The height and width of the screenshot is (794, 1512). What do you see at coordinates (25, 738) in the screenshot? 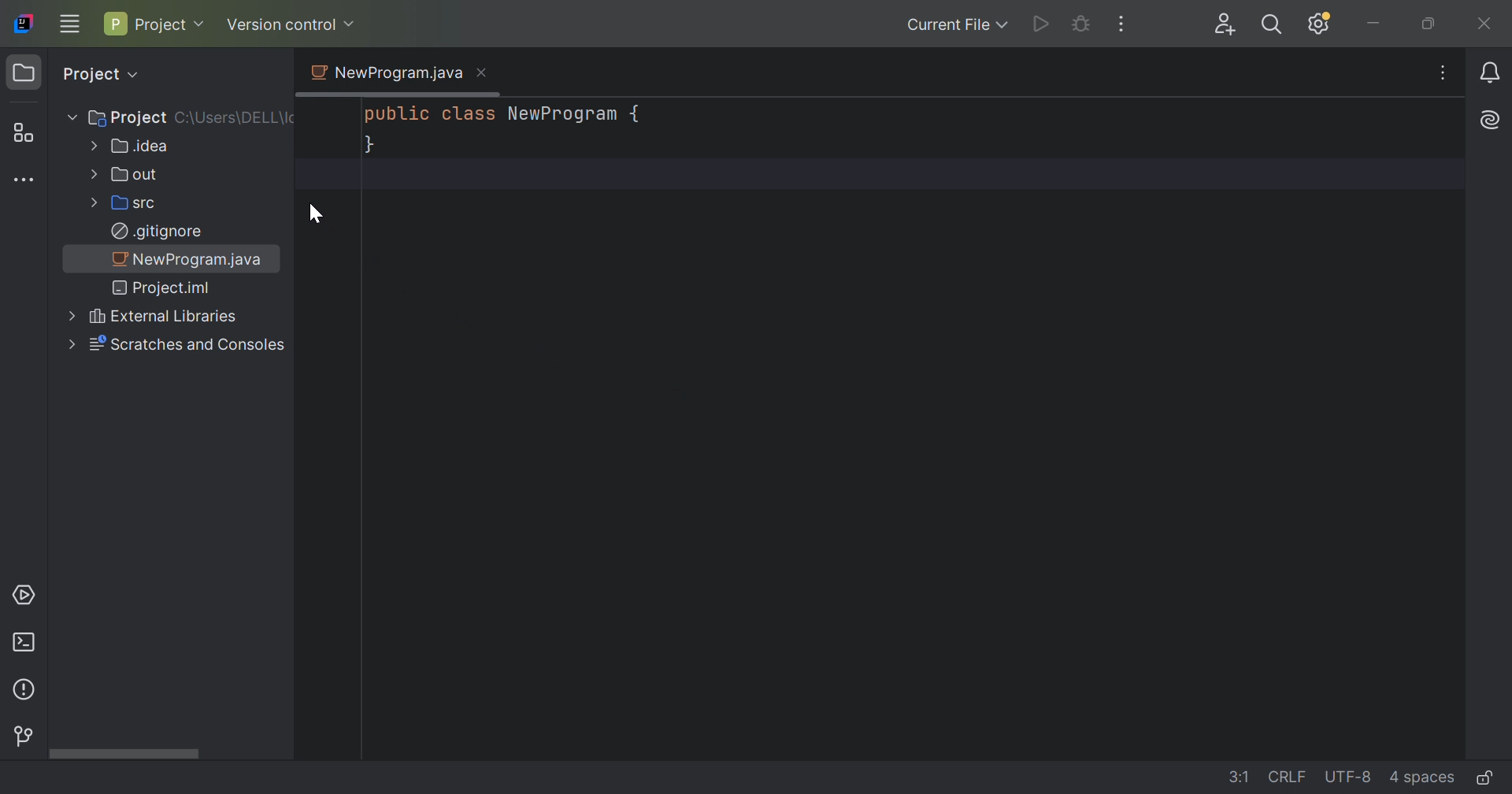
I see `Version control` at bounding box center [25, 738].